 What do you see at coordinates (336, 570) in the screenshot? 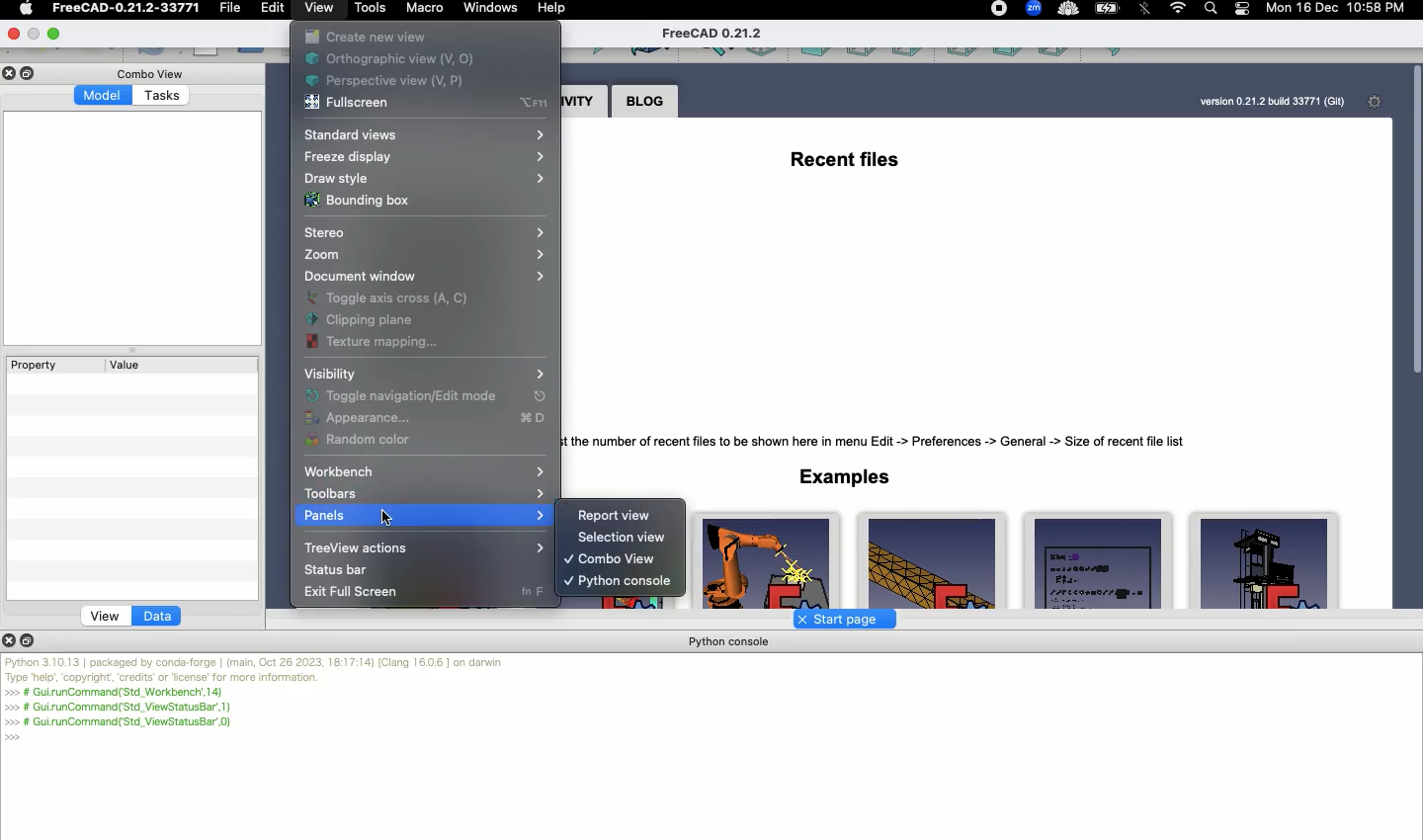
I see `Status bar` at bounding box center [336, 570].